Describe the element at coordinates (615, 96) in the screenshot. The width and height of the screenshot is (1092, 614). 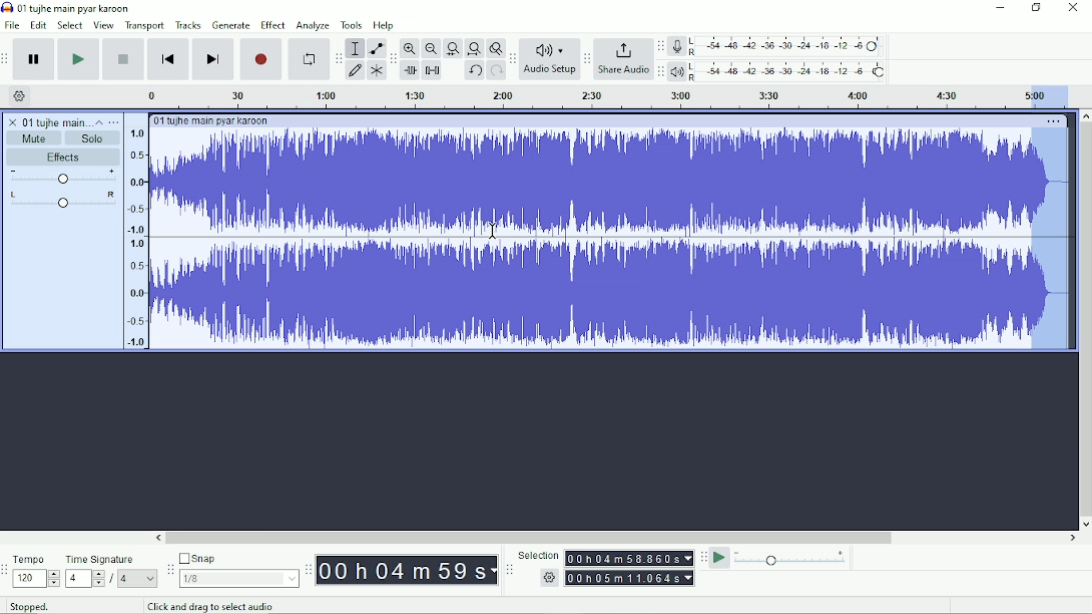
I see `Timeline` at that location.